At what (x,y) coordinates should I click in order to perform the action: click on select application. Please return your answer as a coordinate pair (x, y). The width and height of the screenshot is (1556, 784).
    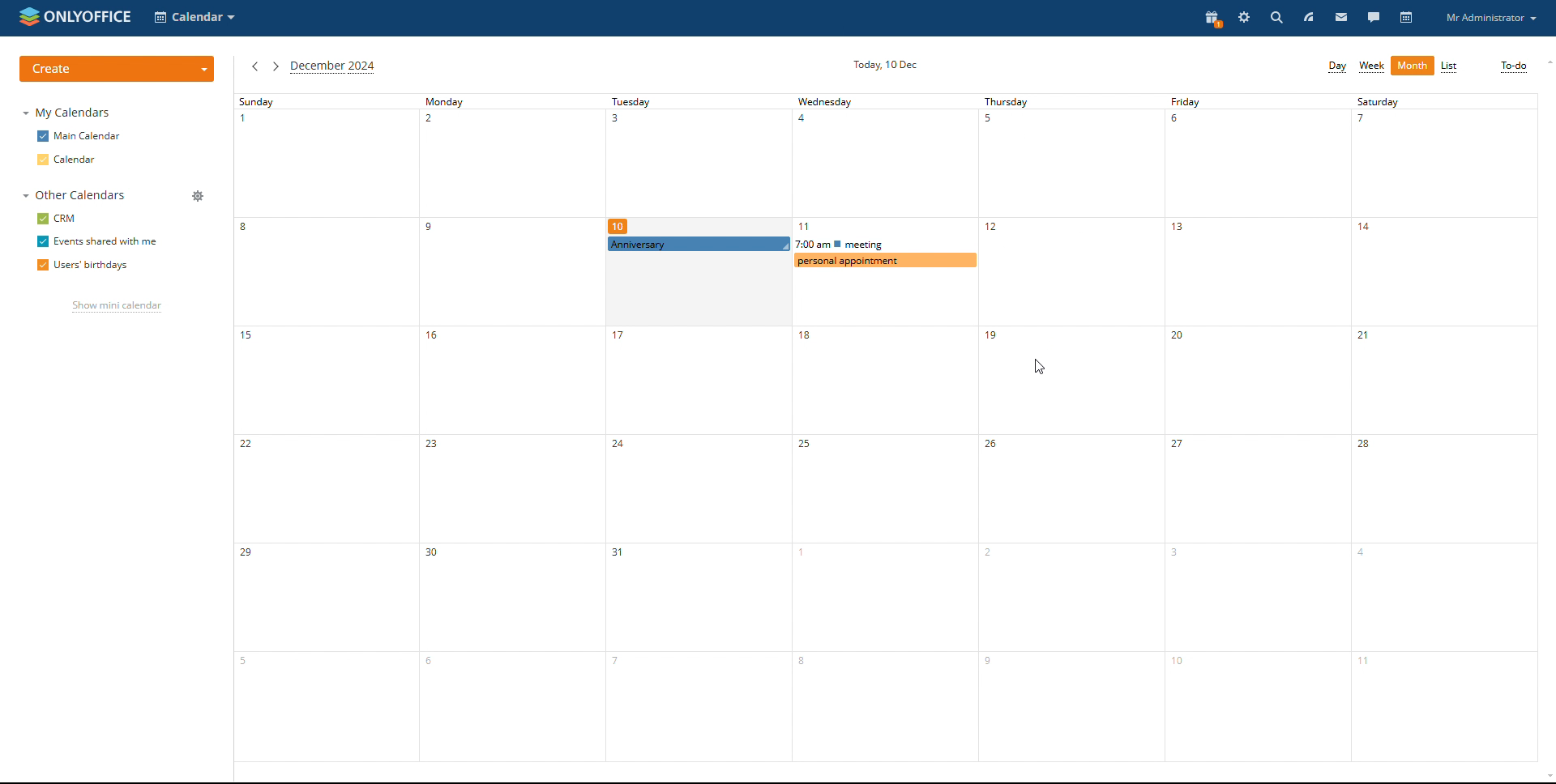
    Looking at the image, I should click on (197, 19).